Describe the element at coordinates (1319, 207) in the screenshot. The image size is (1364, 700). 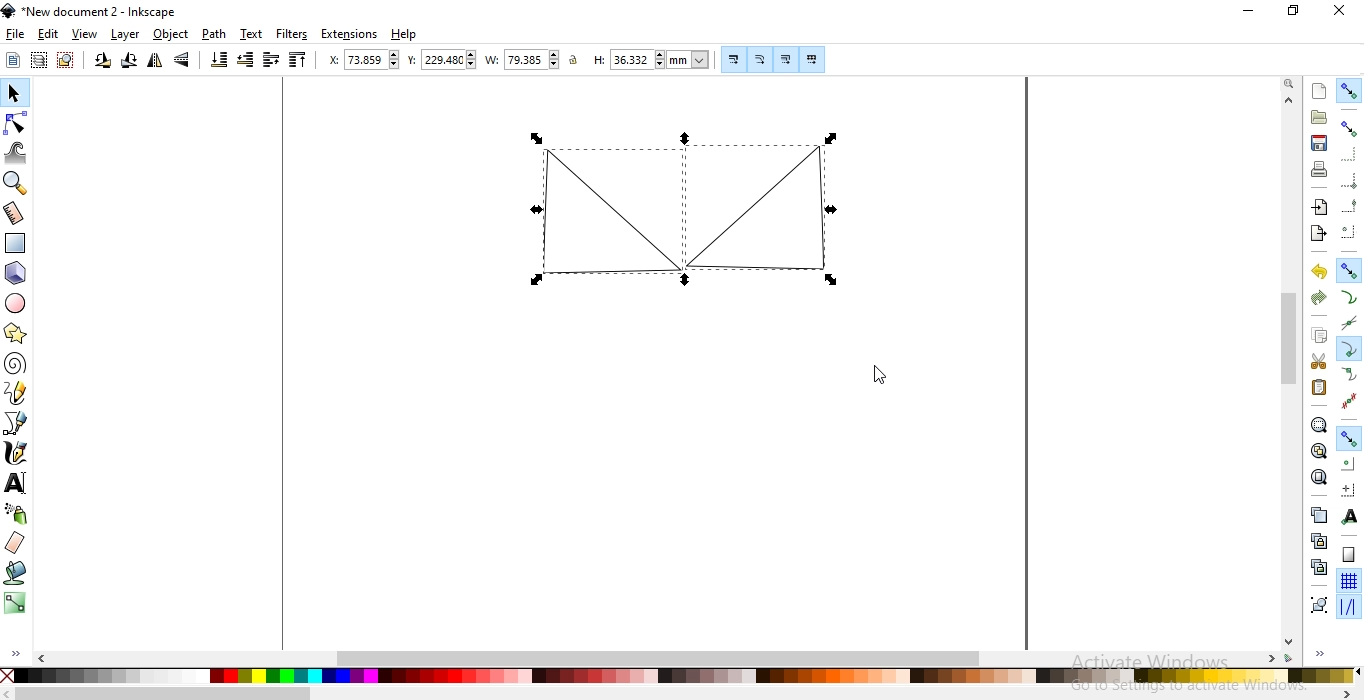
I see `import a bitmap` at that location.